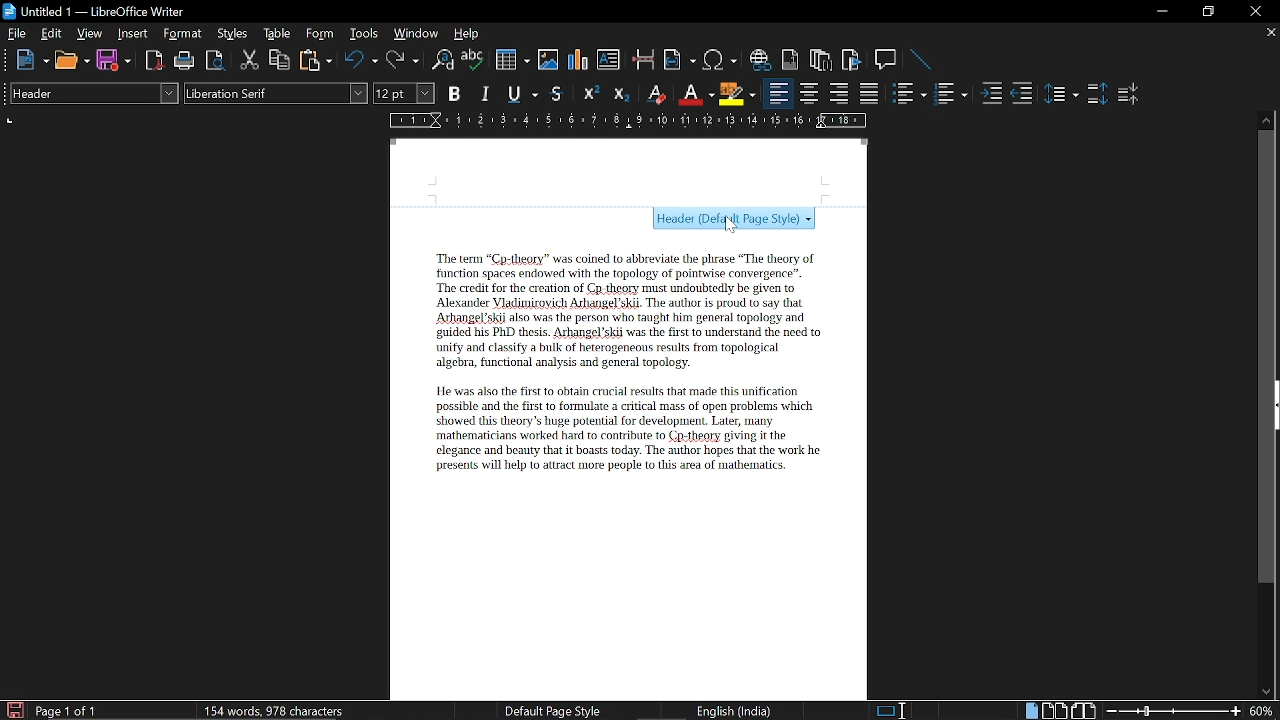 The image size is (1280, 720). What do you see at coordinates (278, 34) in the screenshot?
I see `table` at bounding box center [278, 34].